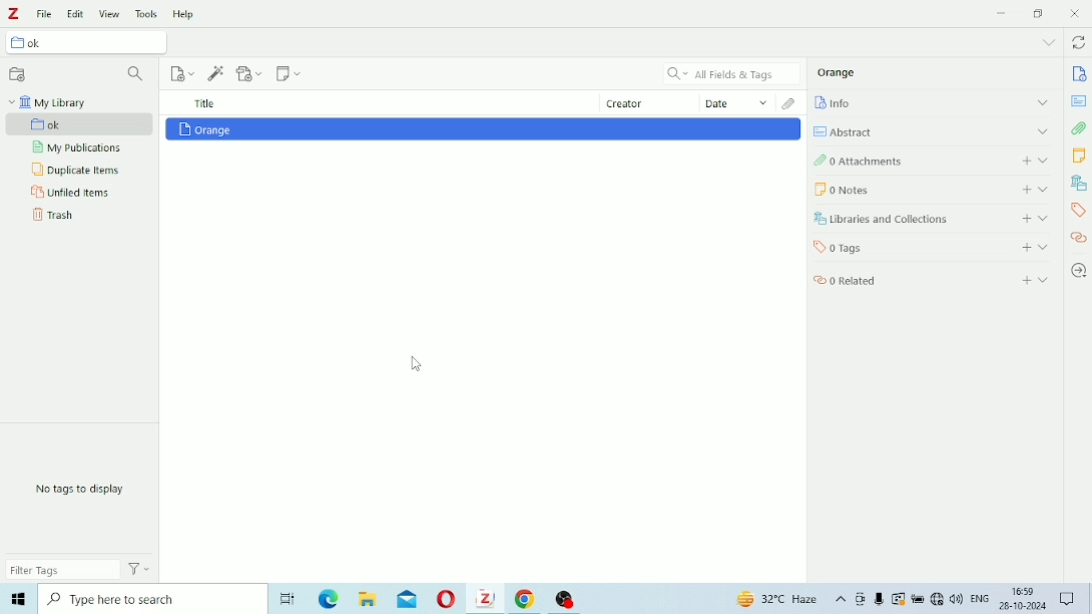 The width and height of the screenshot is (1092, 614). What do you see at coordinates (957, 599) in the screenshot?
I see `Speakers` at bounding box center [957, 599].